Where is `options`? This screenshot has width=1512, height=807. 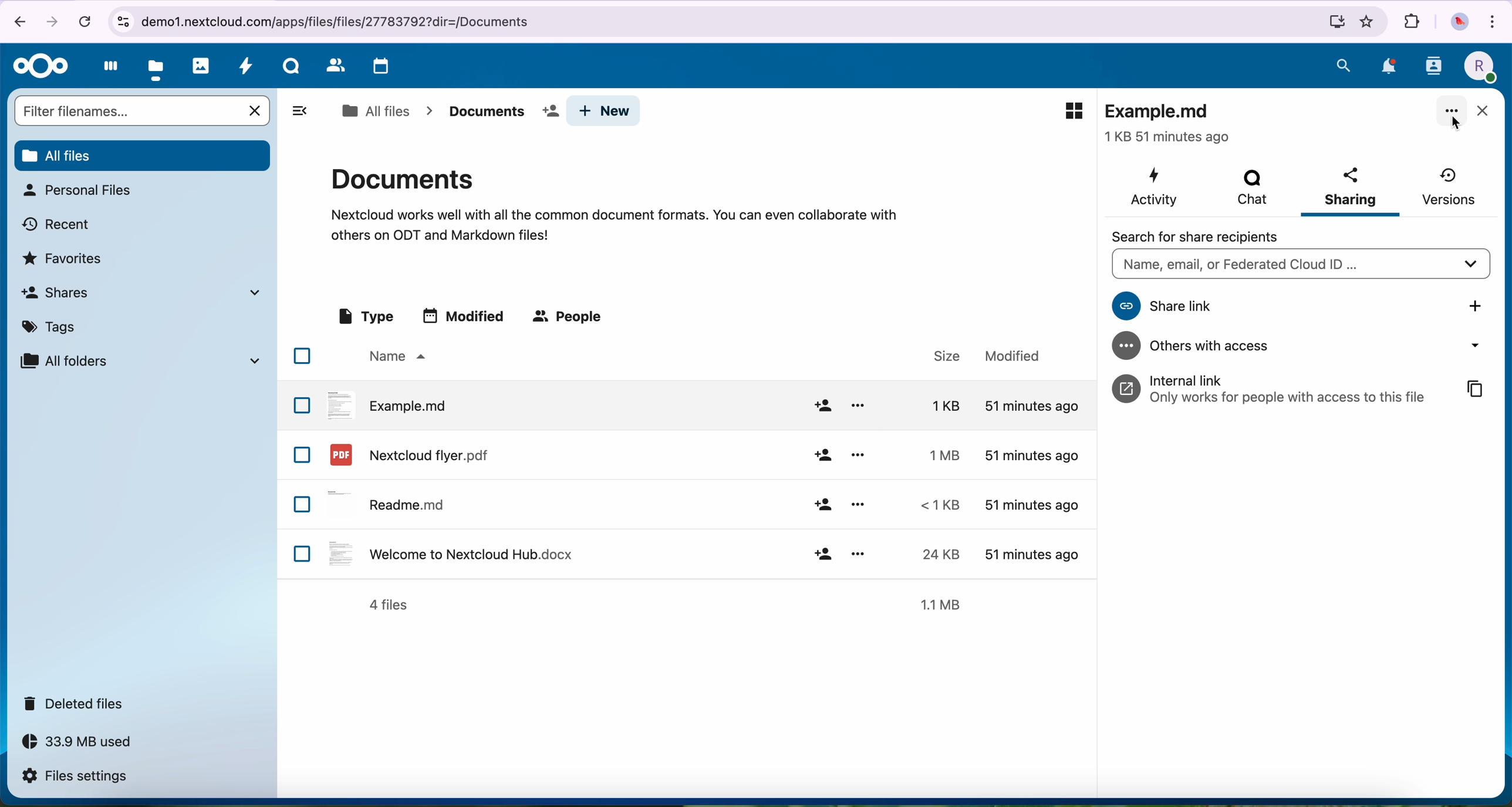 options is located at coordinates (859, 504).